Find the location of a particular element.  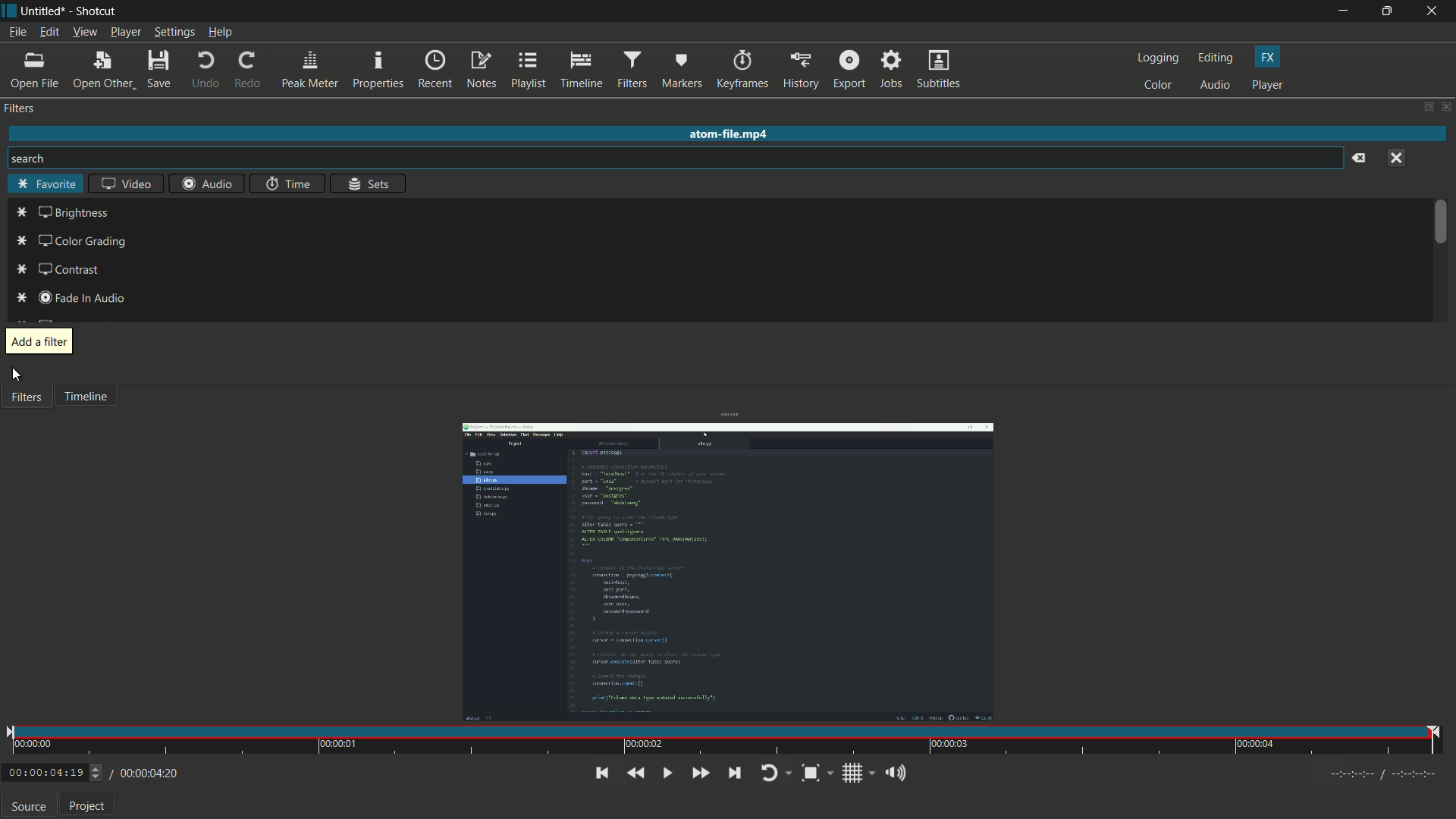

player is located at coordinates (1268, 84).